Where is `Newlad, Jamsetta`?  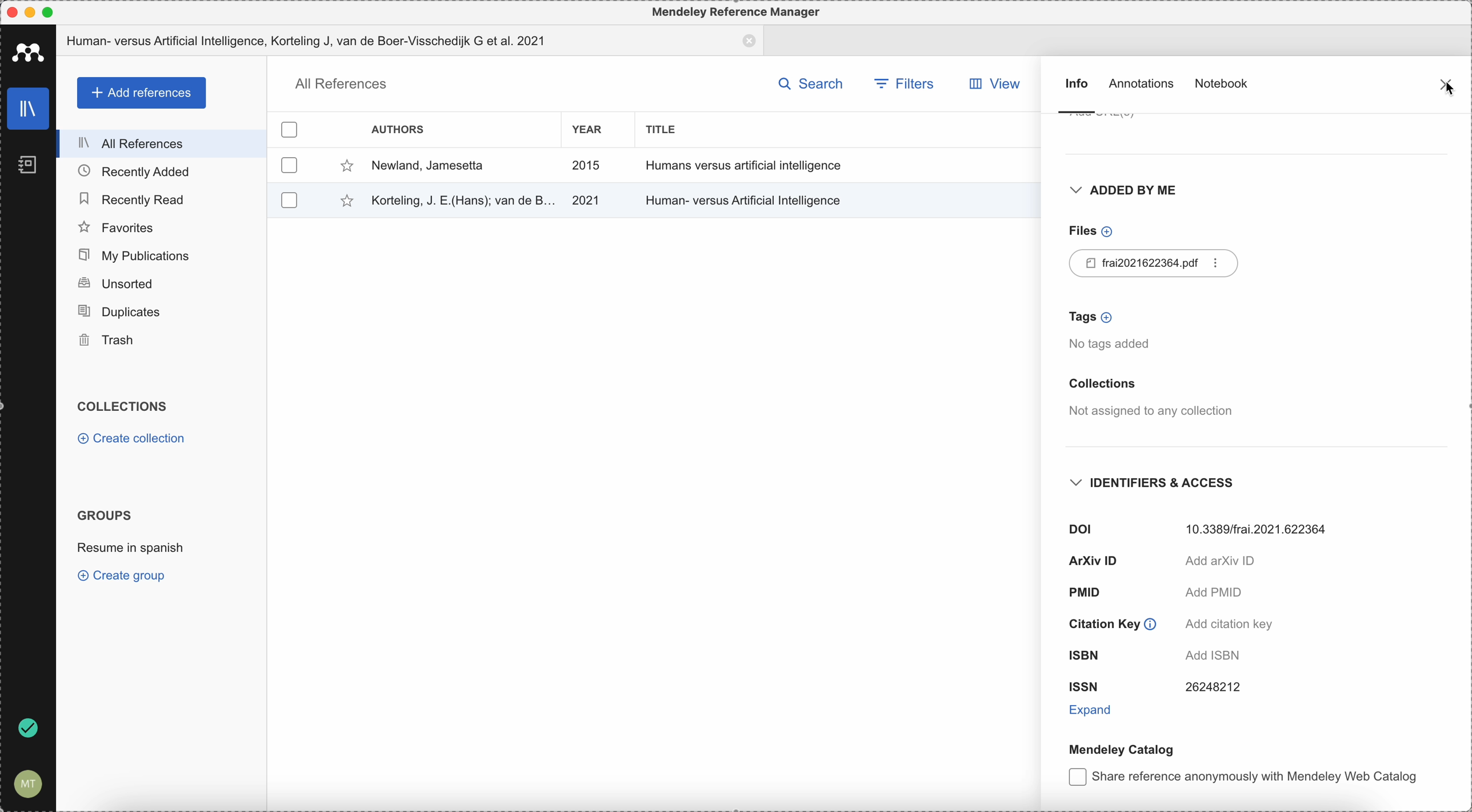 Newlad, Jamsetta is located at coordinates (427, 166).